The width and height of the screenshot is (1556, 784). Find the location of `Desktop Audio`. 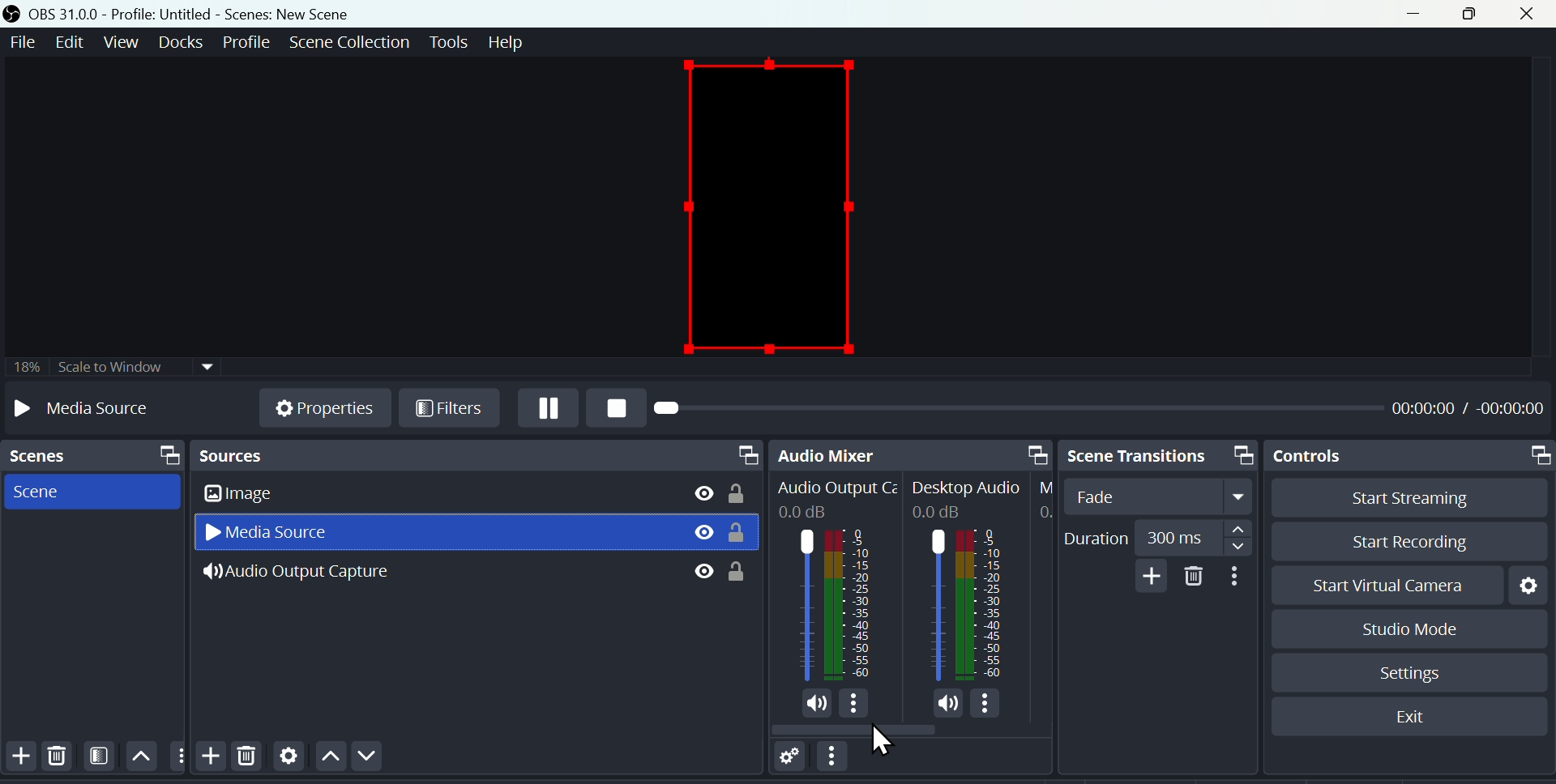

Desktop Audio is located at coordinates (968, 489).